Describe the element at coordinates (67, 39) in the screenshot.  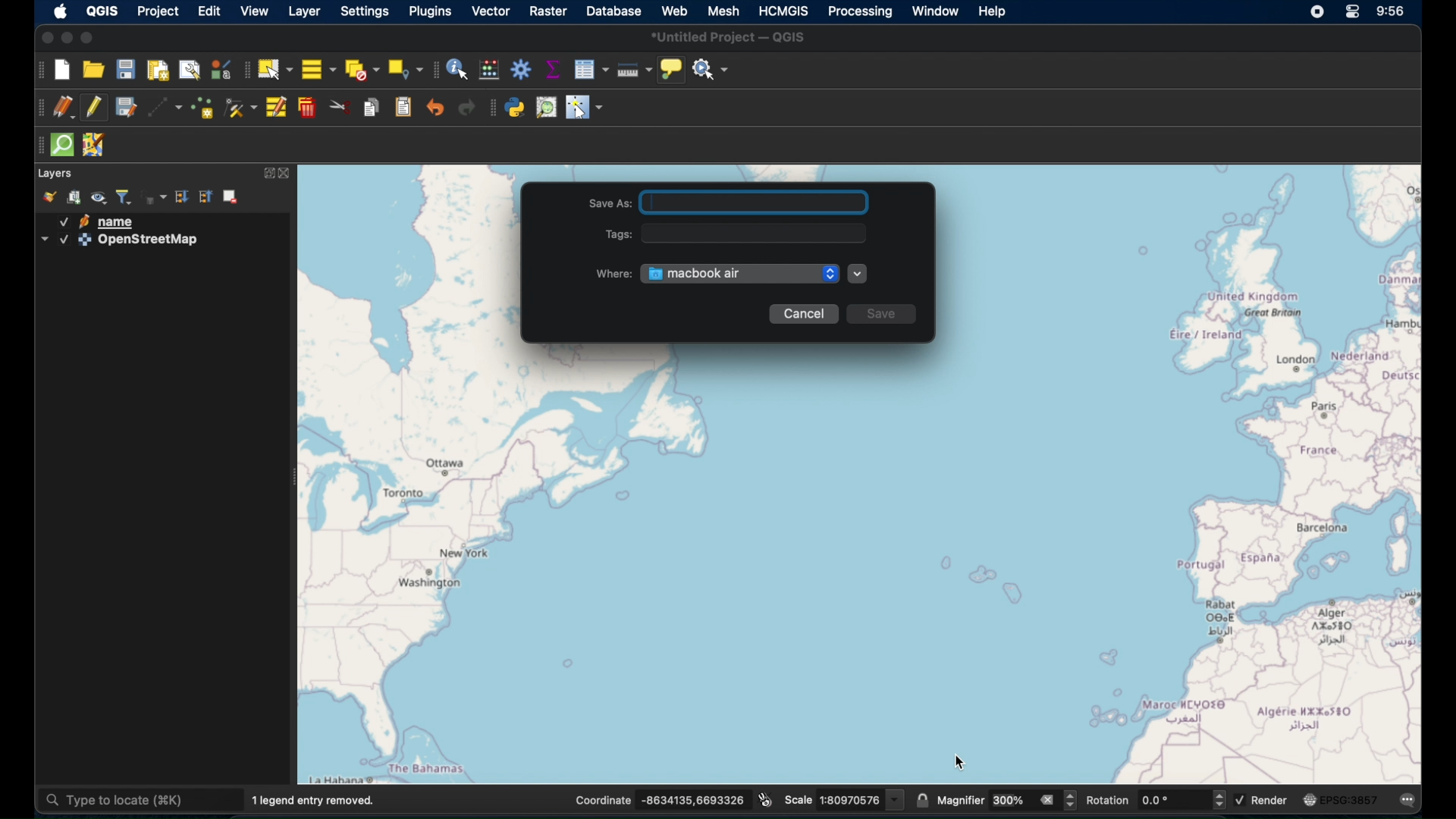
I see `minimize` at that location.